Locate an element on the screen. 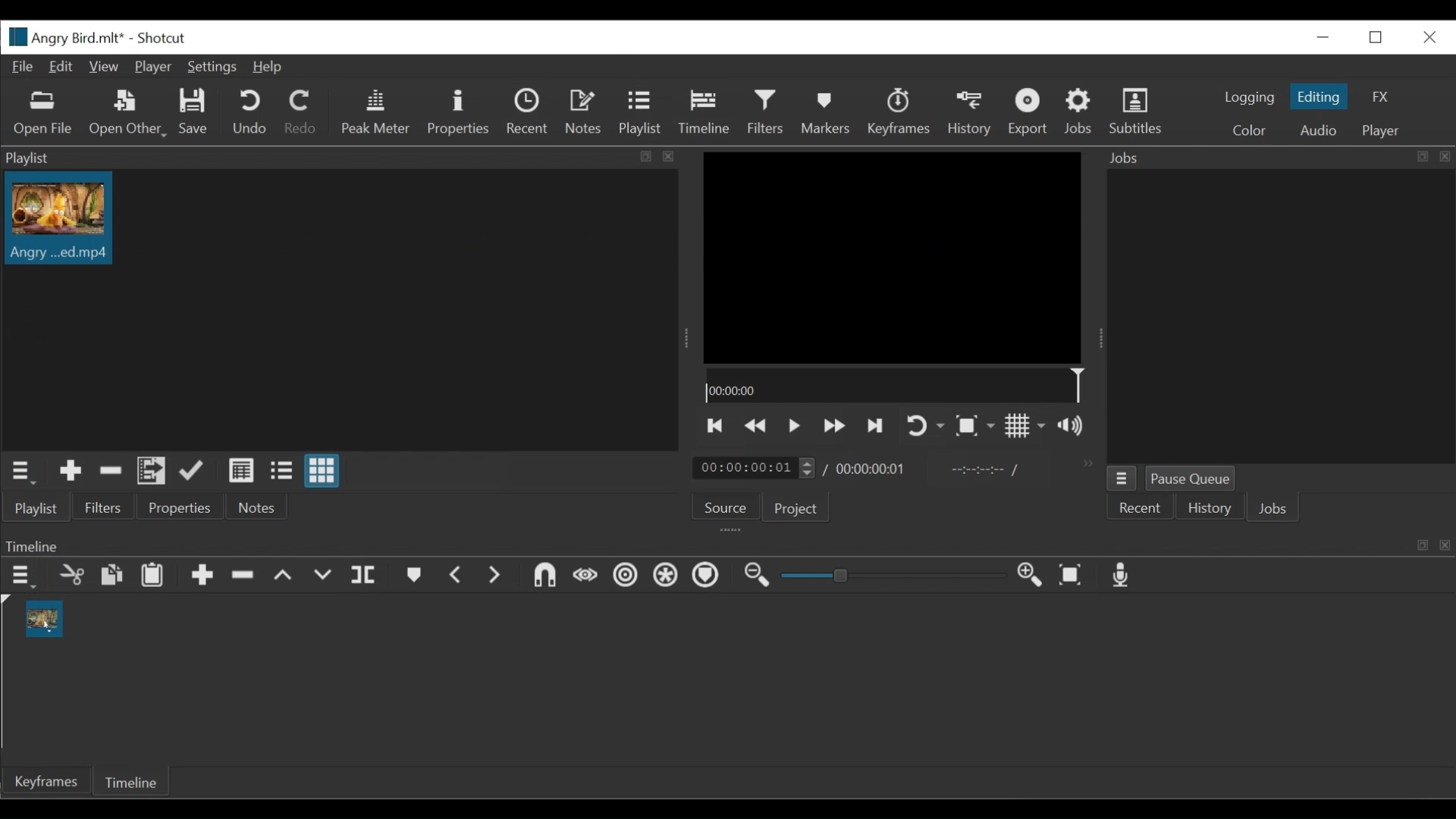  Record audio is located at coordinates (1122, 576).